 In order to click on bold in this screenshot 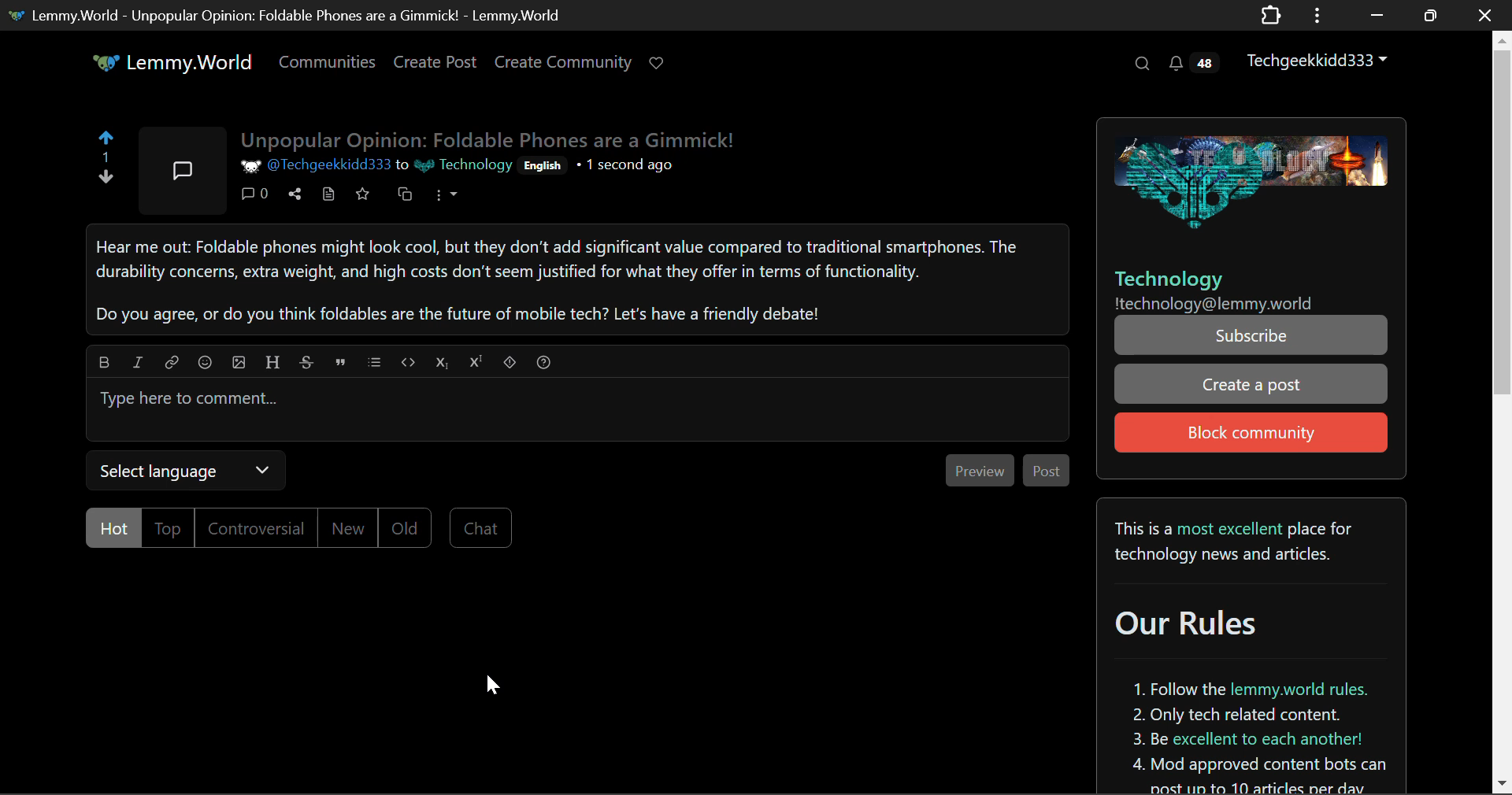, I will do `click(103, 360)`.